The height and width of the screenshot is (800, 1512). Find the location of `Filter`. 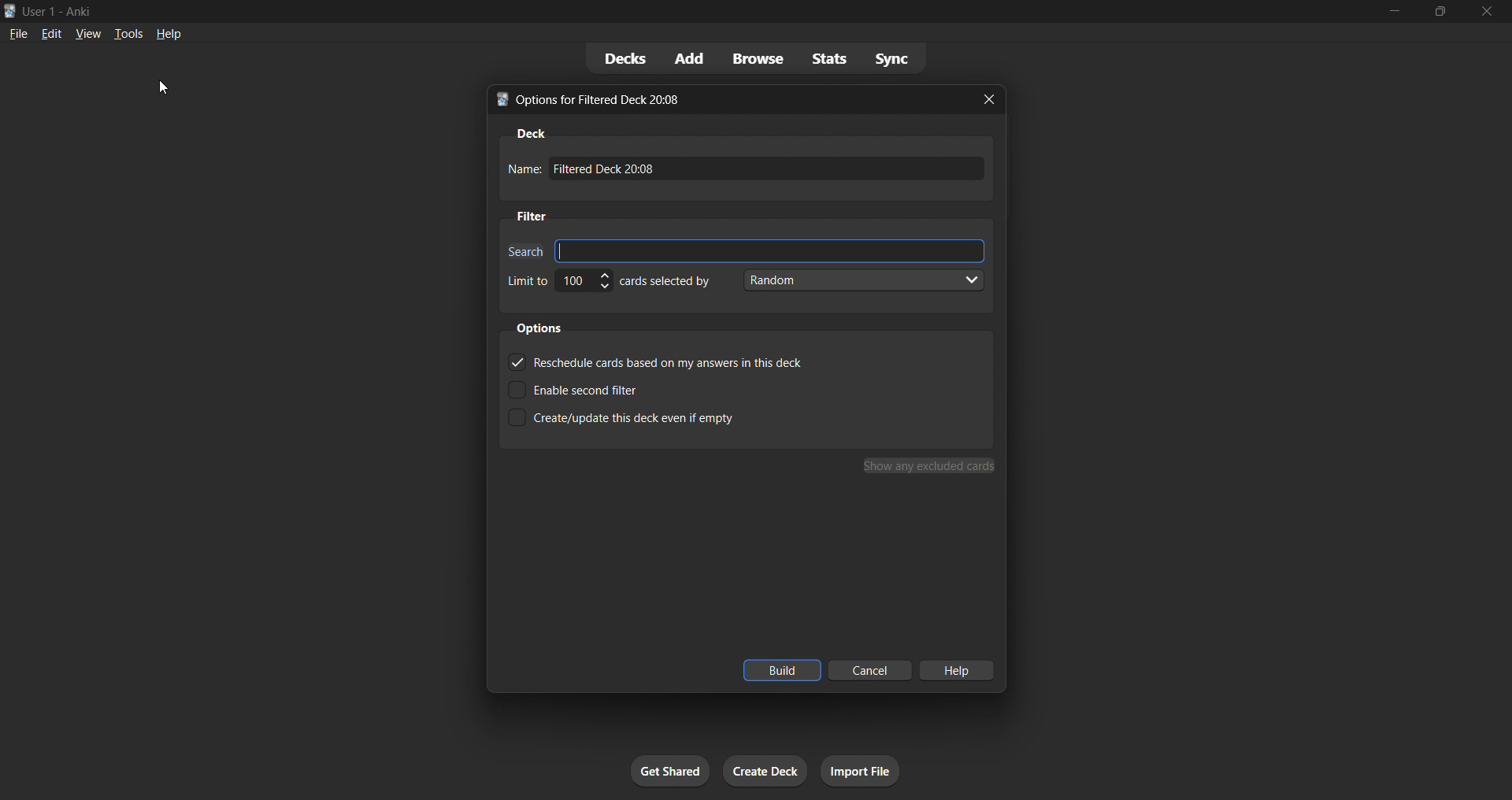

Filter is located at coordinates (531, 216).